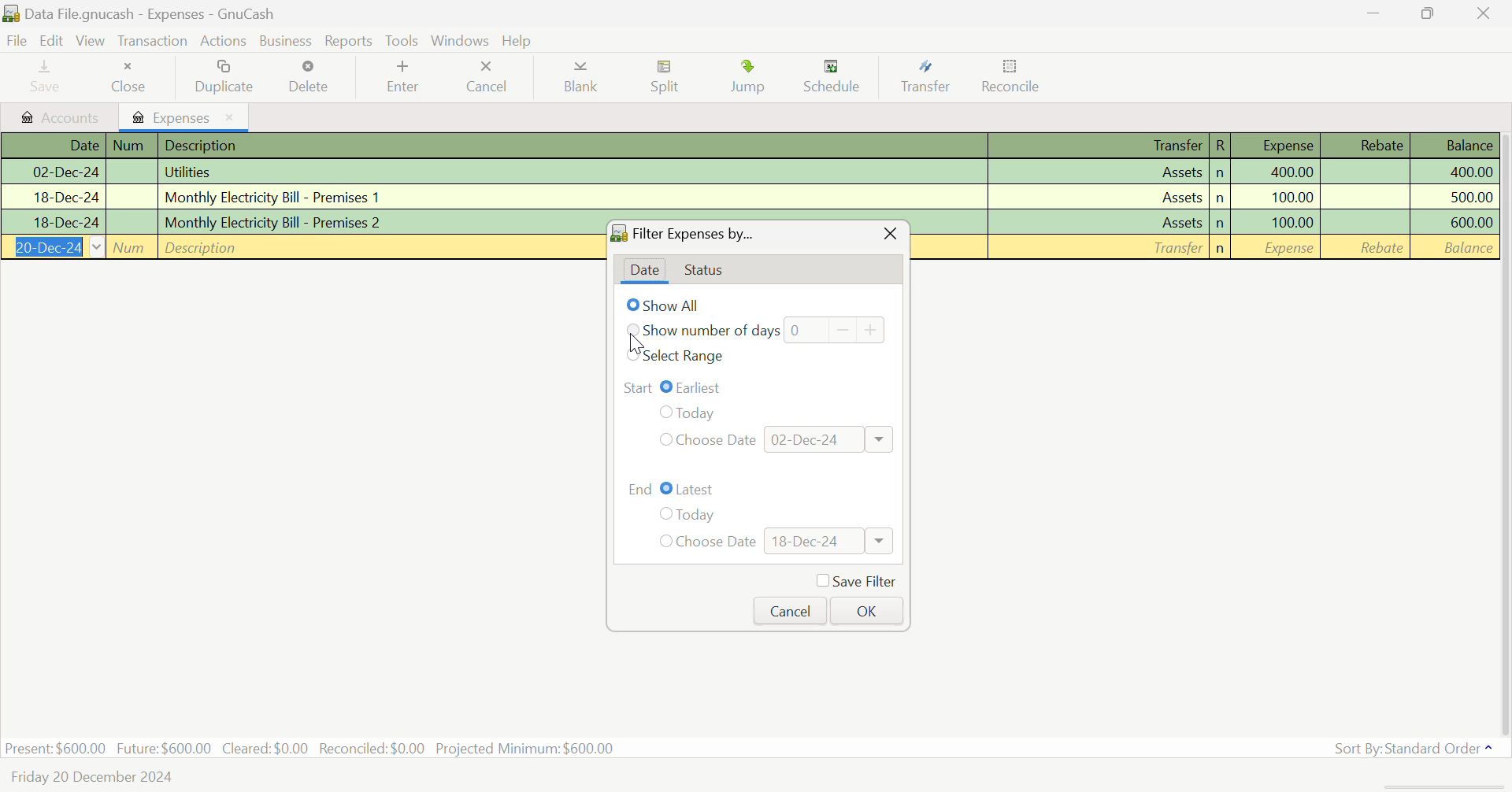 The width and height of the screenshot is (1512, 792). I want to click on Premises 2 Bill, so click(380, 221).